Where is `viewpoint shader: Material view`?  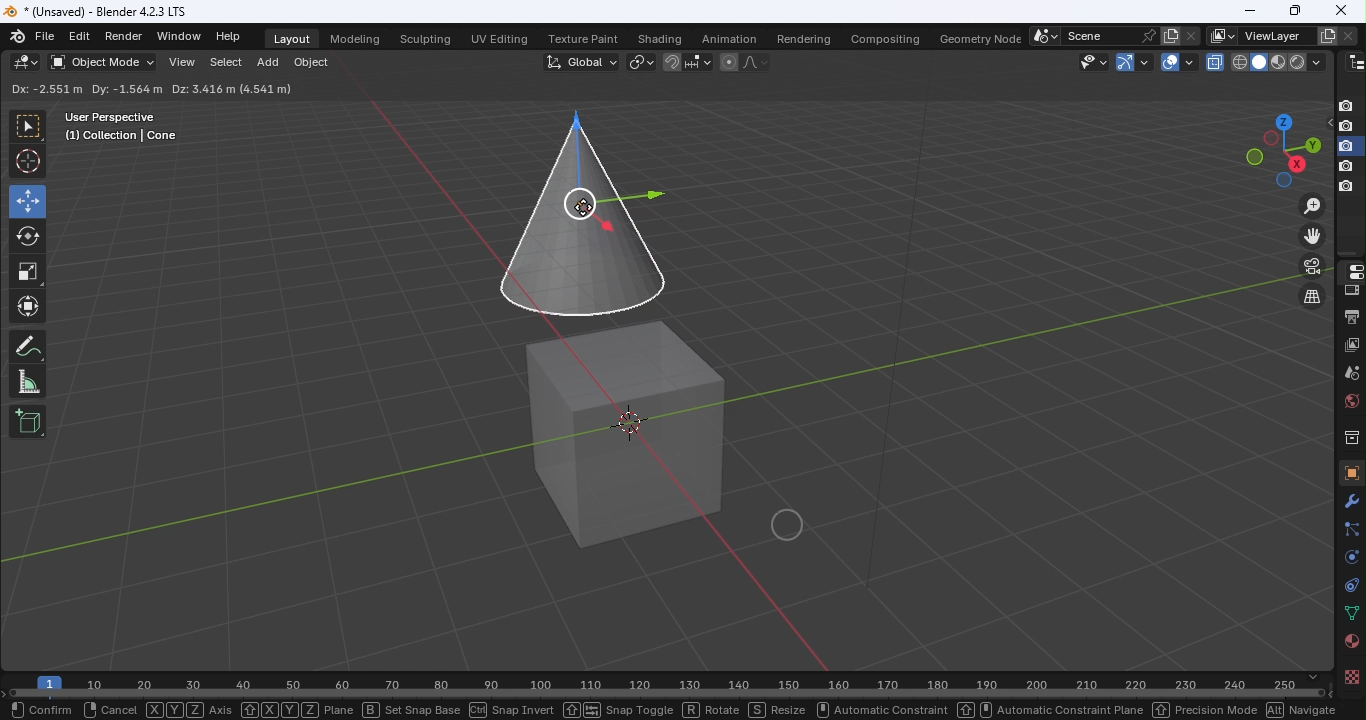 viewpoint shader: Material view is located at coordinates (1277, 61).